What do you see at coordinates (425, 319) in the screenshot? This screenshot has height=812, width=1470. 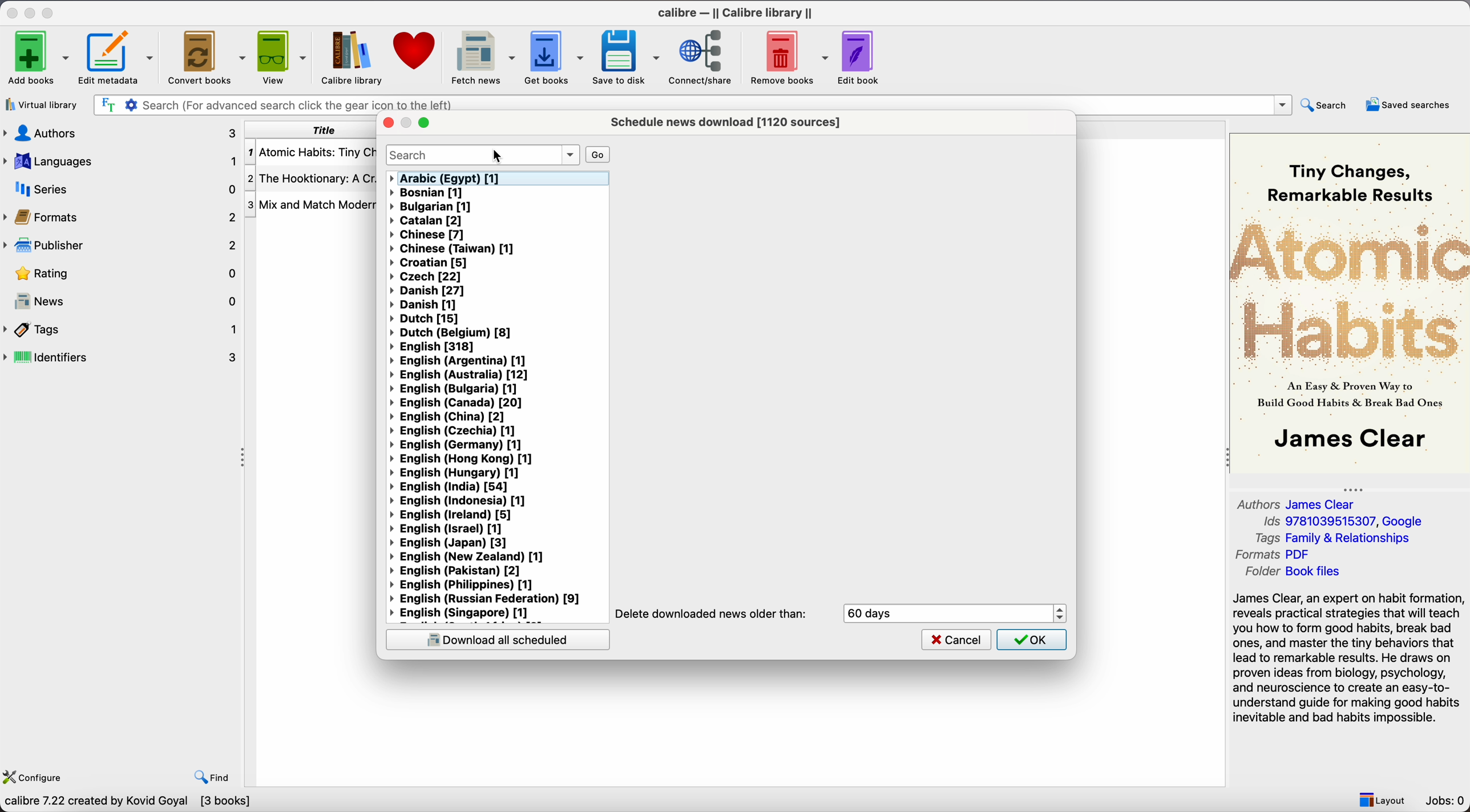 I see `Dutch [15]` at bounding box center [425, 319].